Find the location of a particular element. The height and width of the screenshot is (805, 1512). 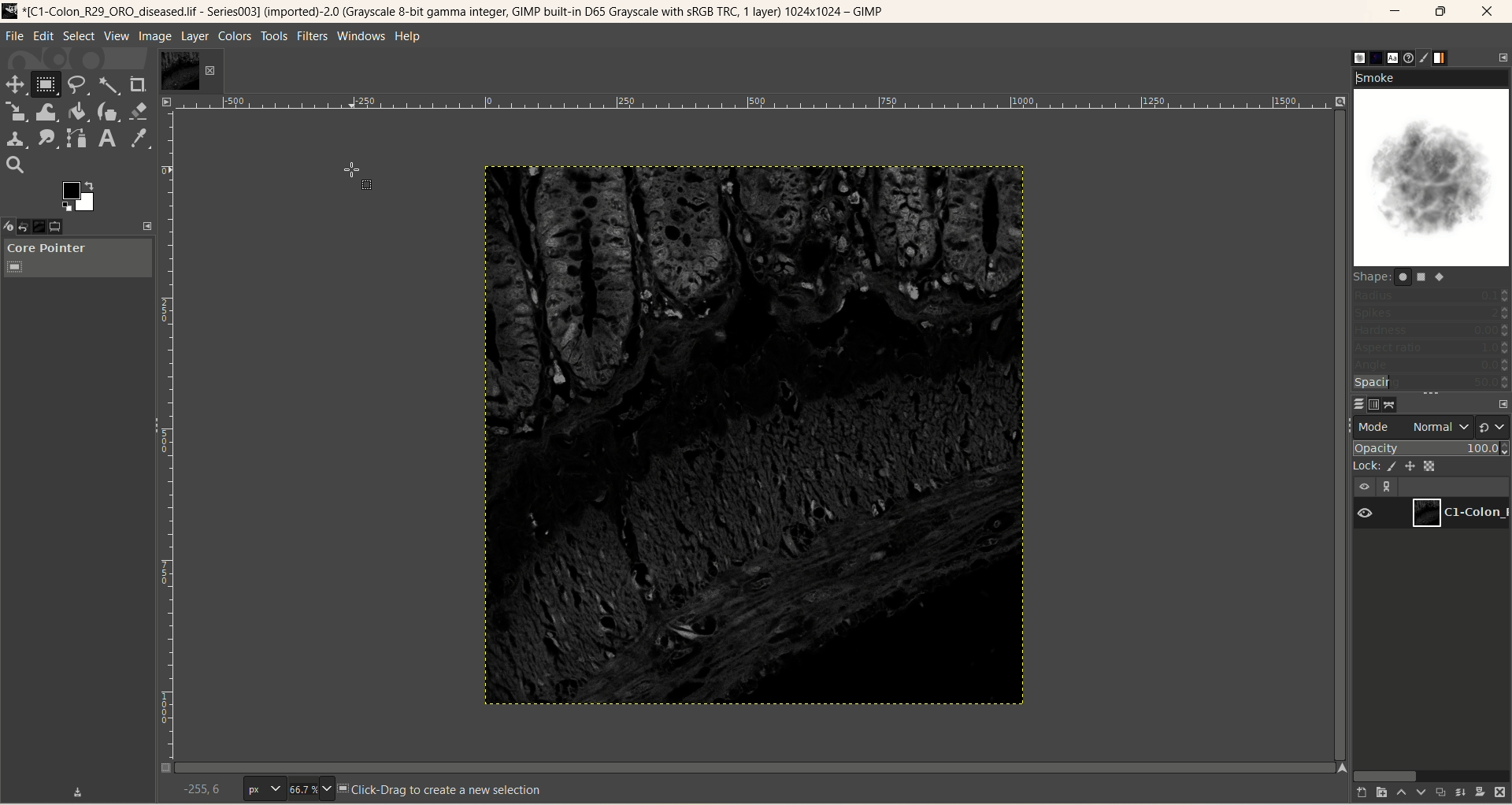

help is located at coordinates (410, 36).